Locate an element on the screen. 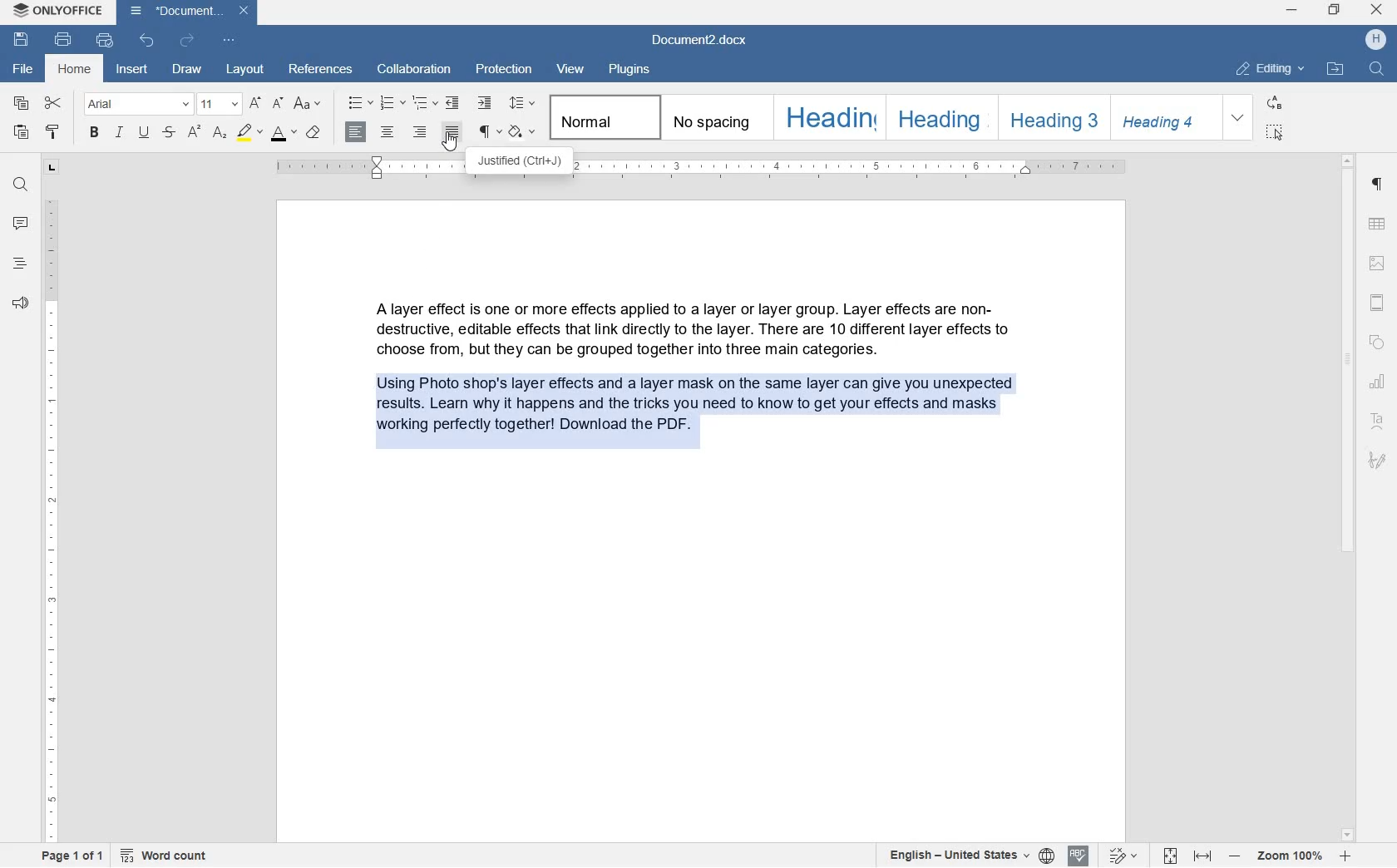 The width and height of the screenshot is (1397, 868). HEADING  is located at coordinates (938, 118).